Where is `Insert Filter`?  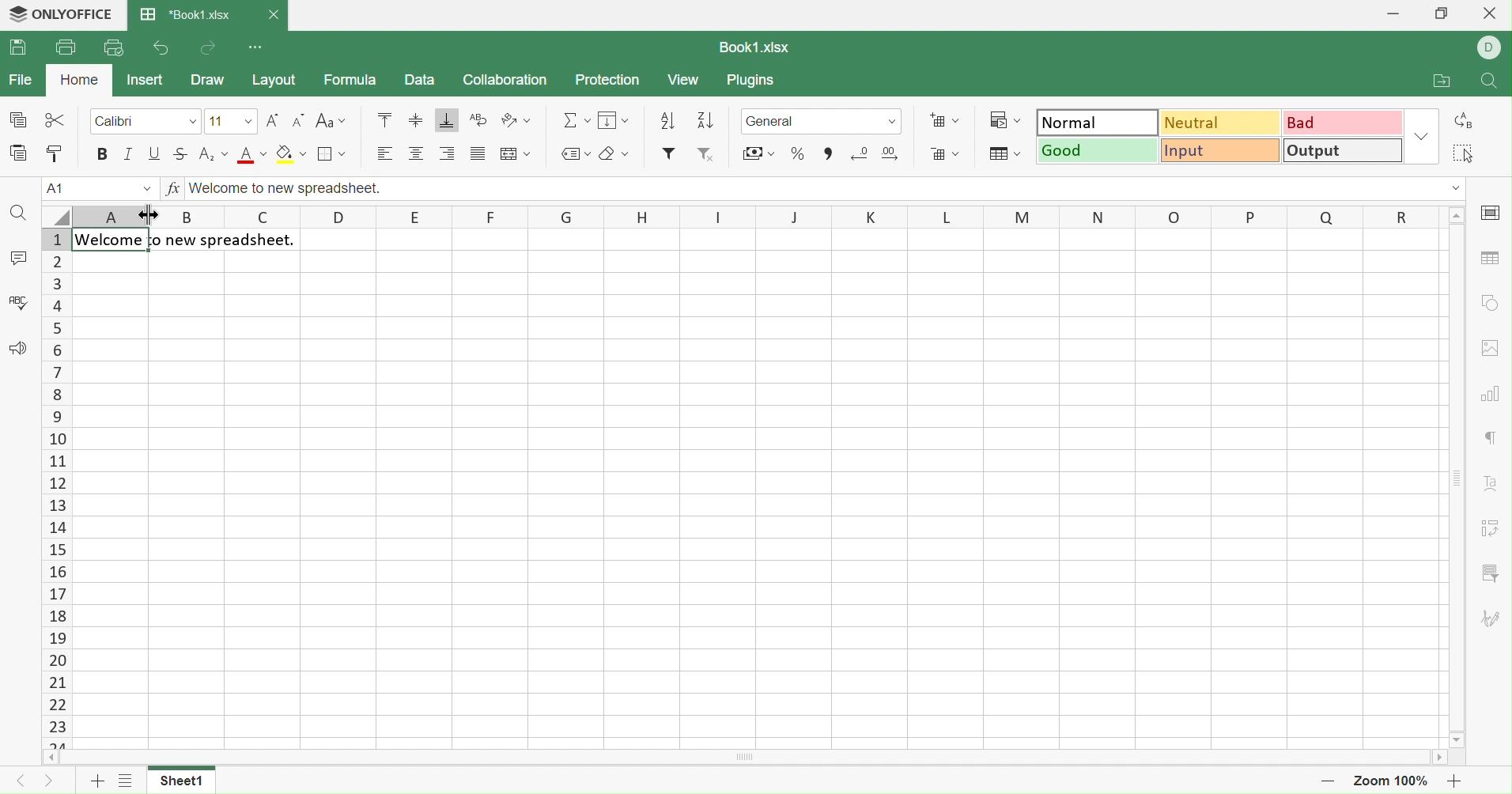
Insert Filter is located at coordinates (670, 153).